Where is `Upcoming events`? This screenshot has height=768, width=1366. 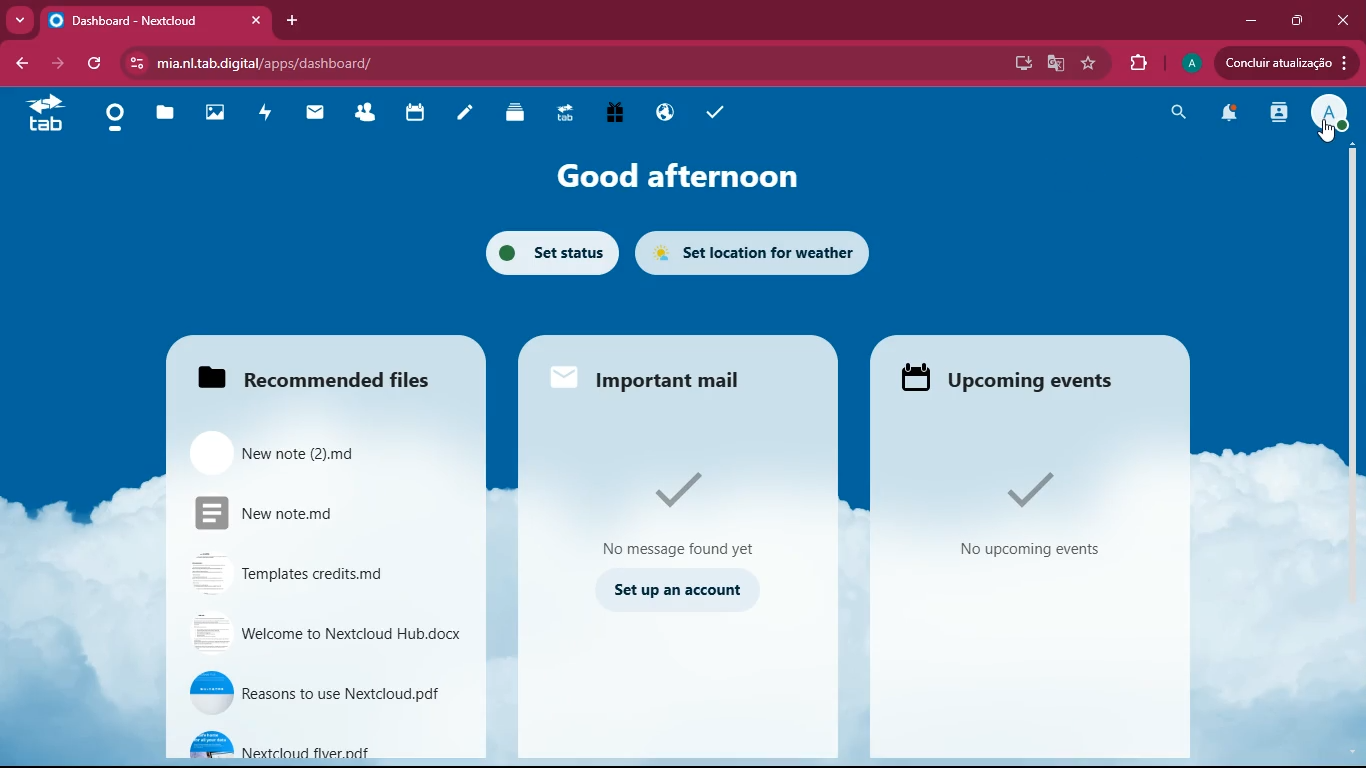
Upcoming events is located at coordinates (1011, 377).